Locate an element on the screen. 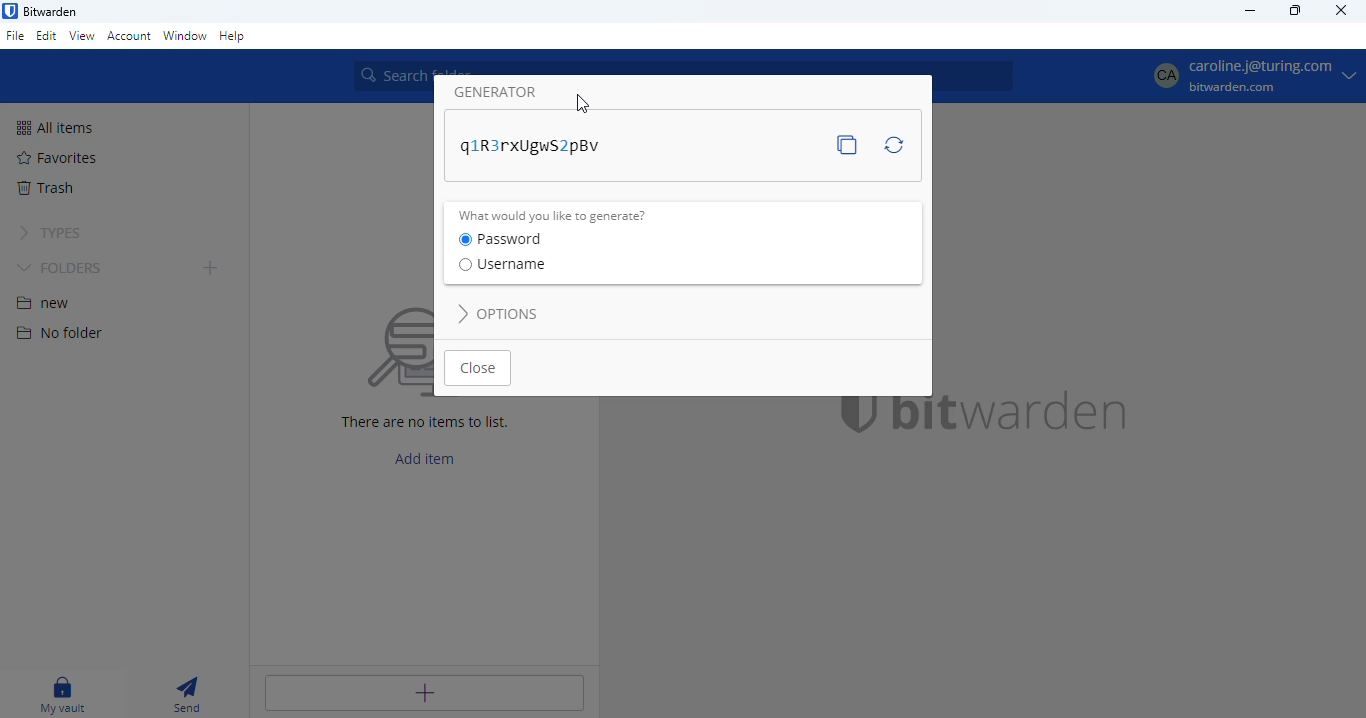  send is located at coordinates (186, 694).